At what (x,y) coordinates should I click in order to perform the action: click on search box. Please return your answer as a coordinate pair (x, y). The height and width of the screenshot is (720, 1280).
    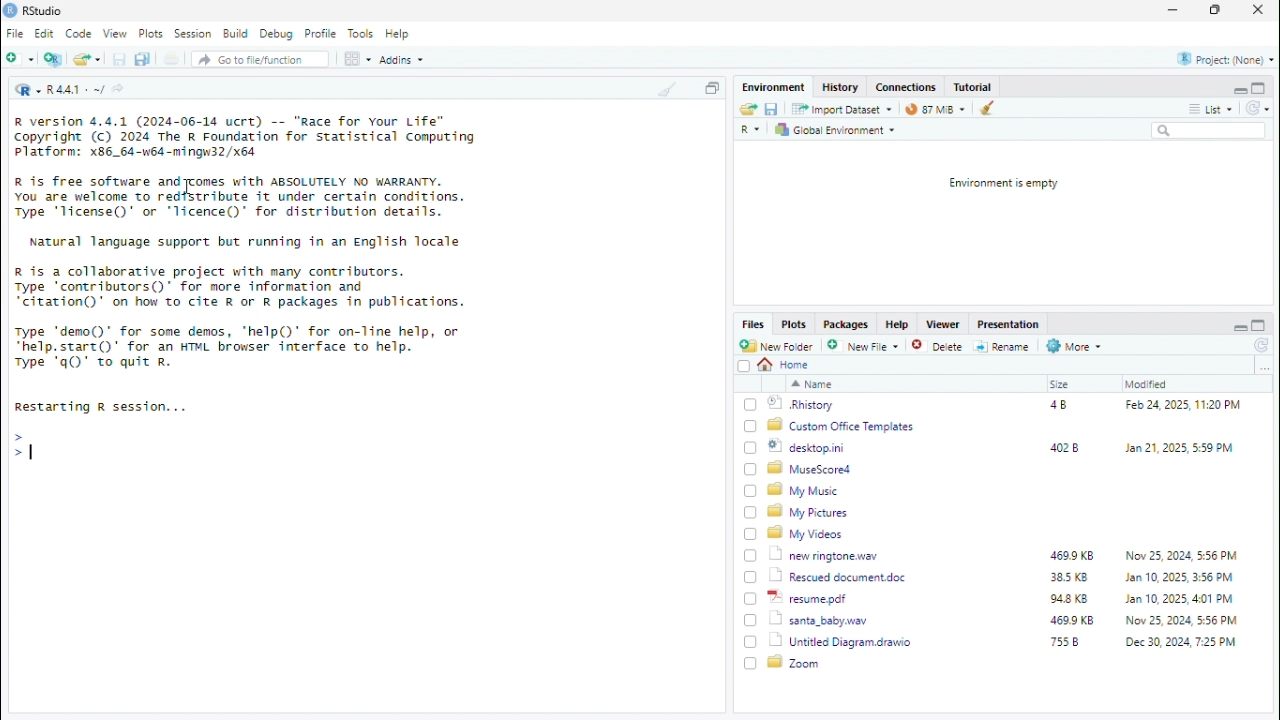
    Looking at the image, I should click on (1209, 130).